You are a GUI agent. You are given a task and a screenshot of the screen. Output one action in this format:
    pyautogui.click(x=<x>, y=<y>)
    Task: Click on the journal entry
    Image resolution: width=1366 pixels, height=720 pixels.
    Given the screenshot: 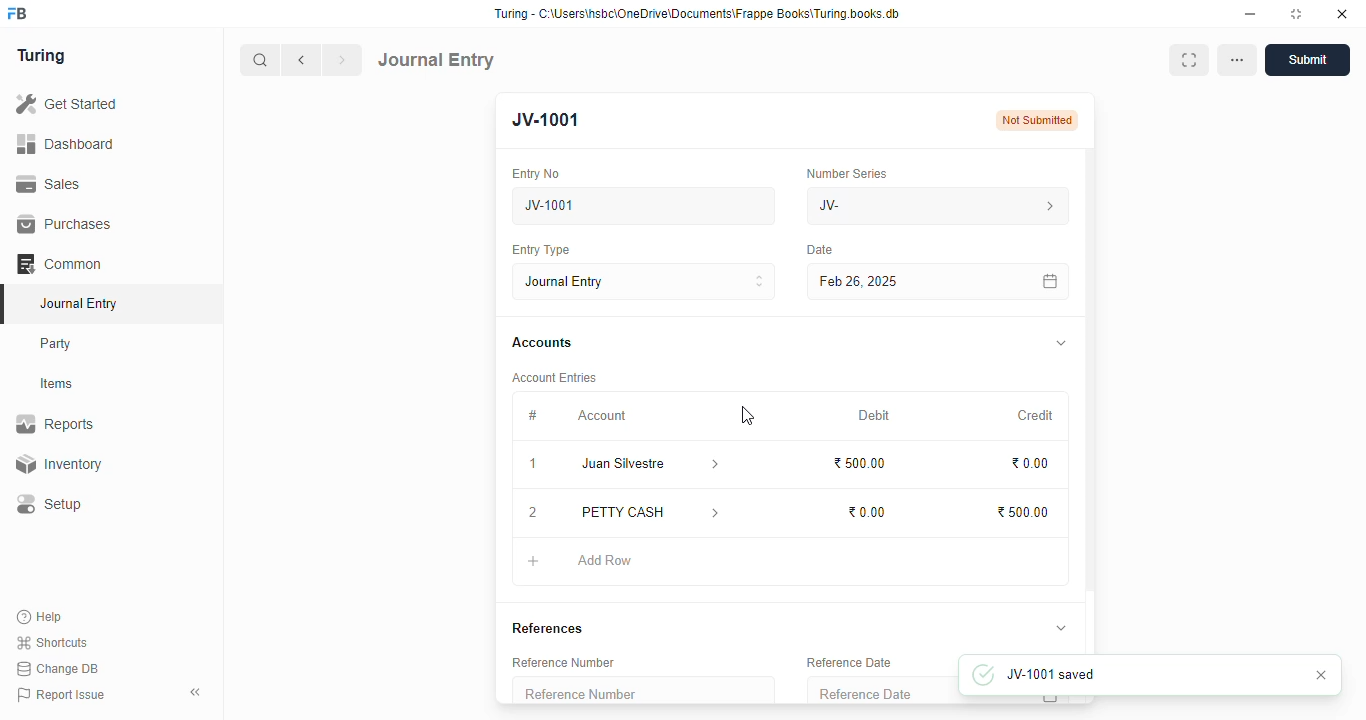 What is the action you would take?
    pyautogui.click(x=645, y=281)
    